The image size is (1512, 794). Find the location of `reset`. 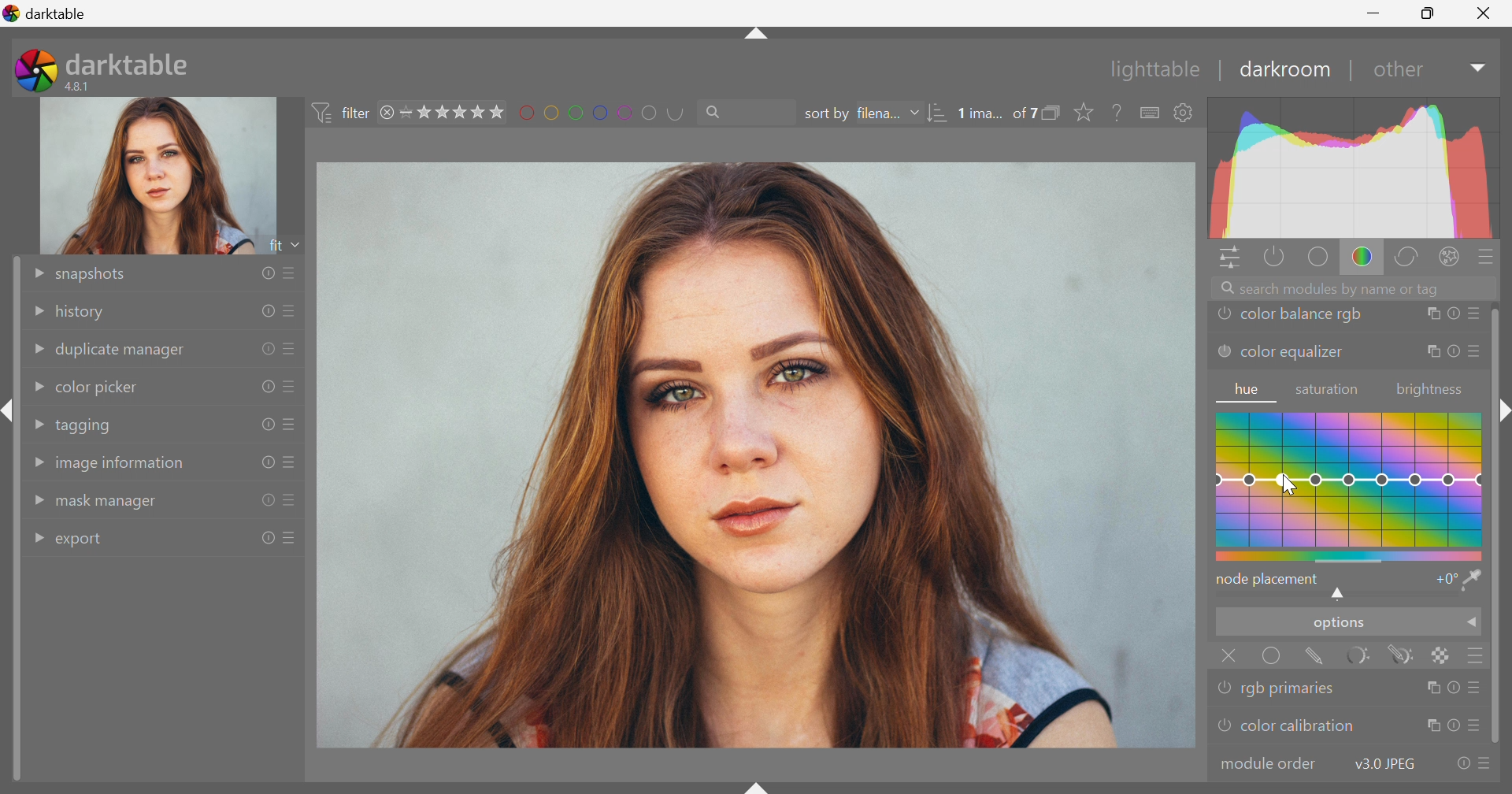

reset is located at coordinates (262, 501).